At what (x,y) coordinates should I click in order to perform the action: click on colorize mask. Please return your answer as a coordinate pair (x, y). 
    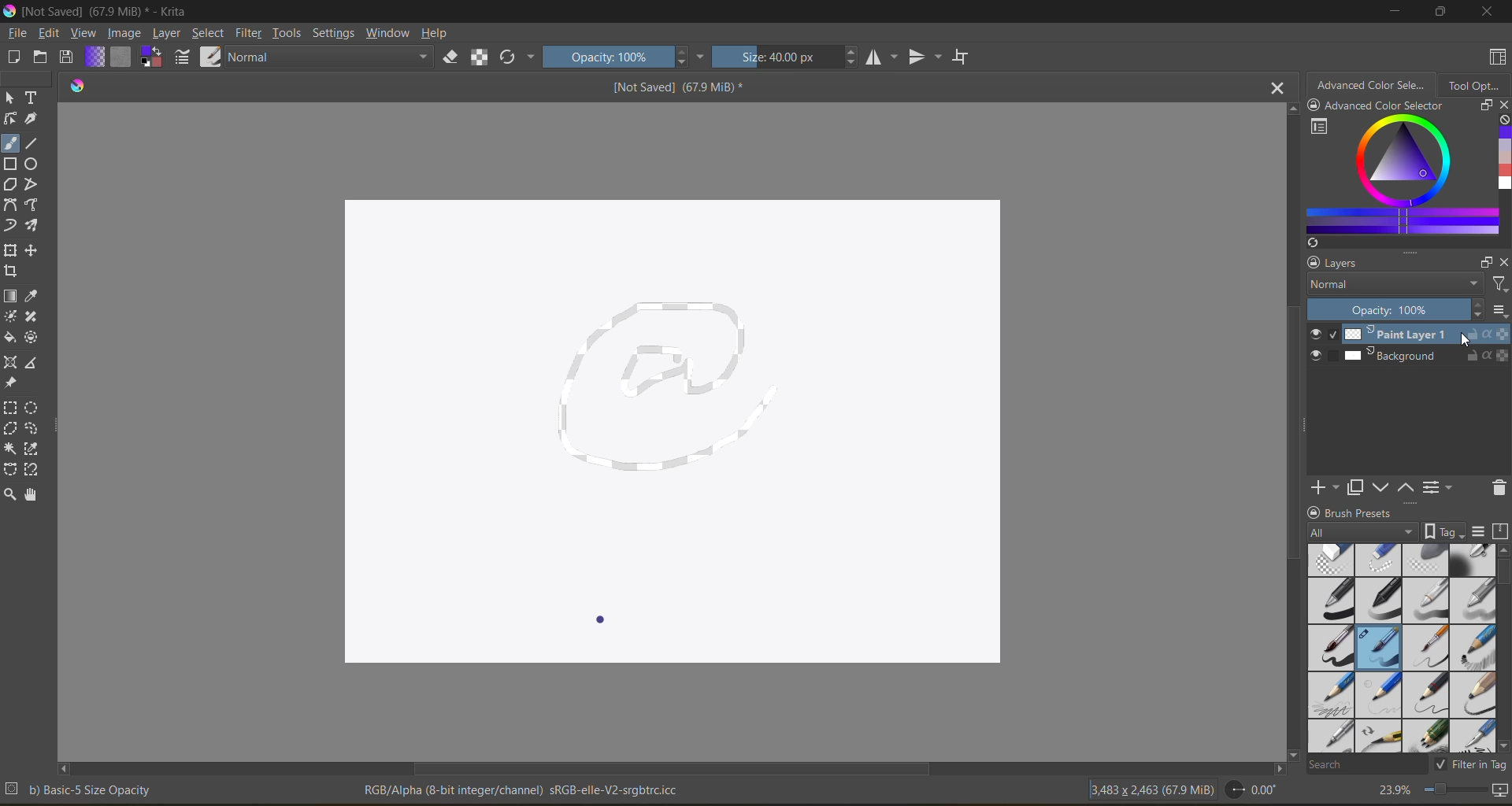
    Looking at the image, I should click on (9, 316).